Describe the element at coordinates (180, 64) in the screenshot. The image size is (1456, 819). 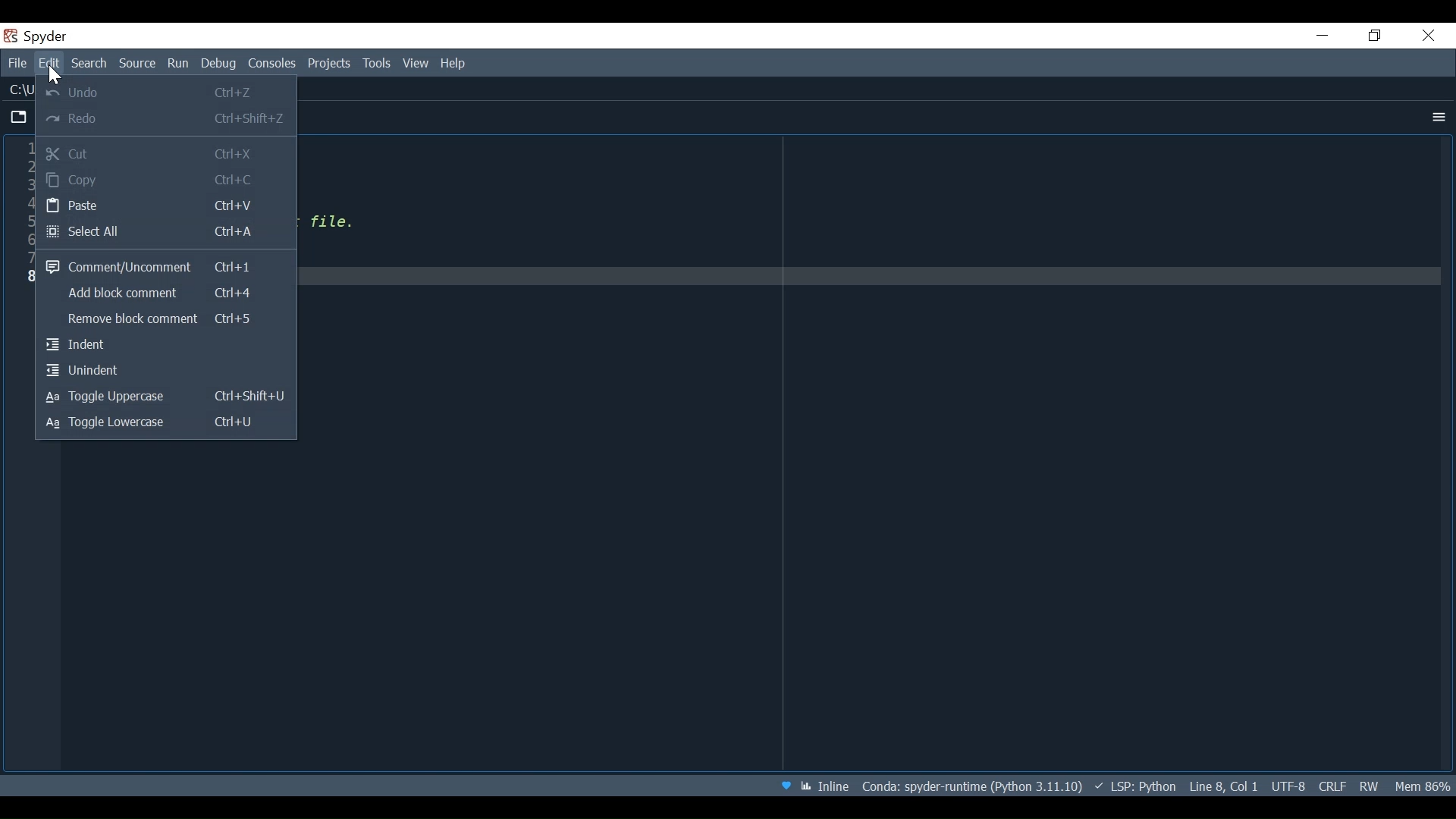
I see `Run` at that location.